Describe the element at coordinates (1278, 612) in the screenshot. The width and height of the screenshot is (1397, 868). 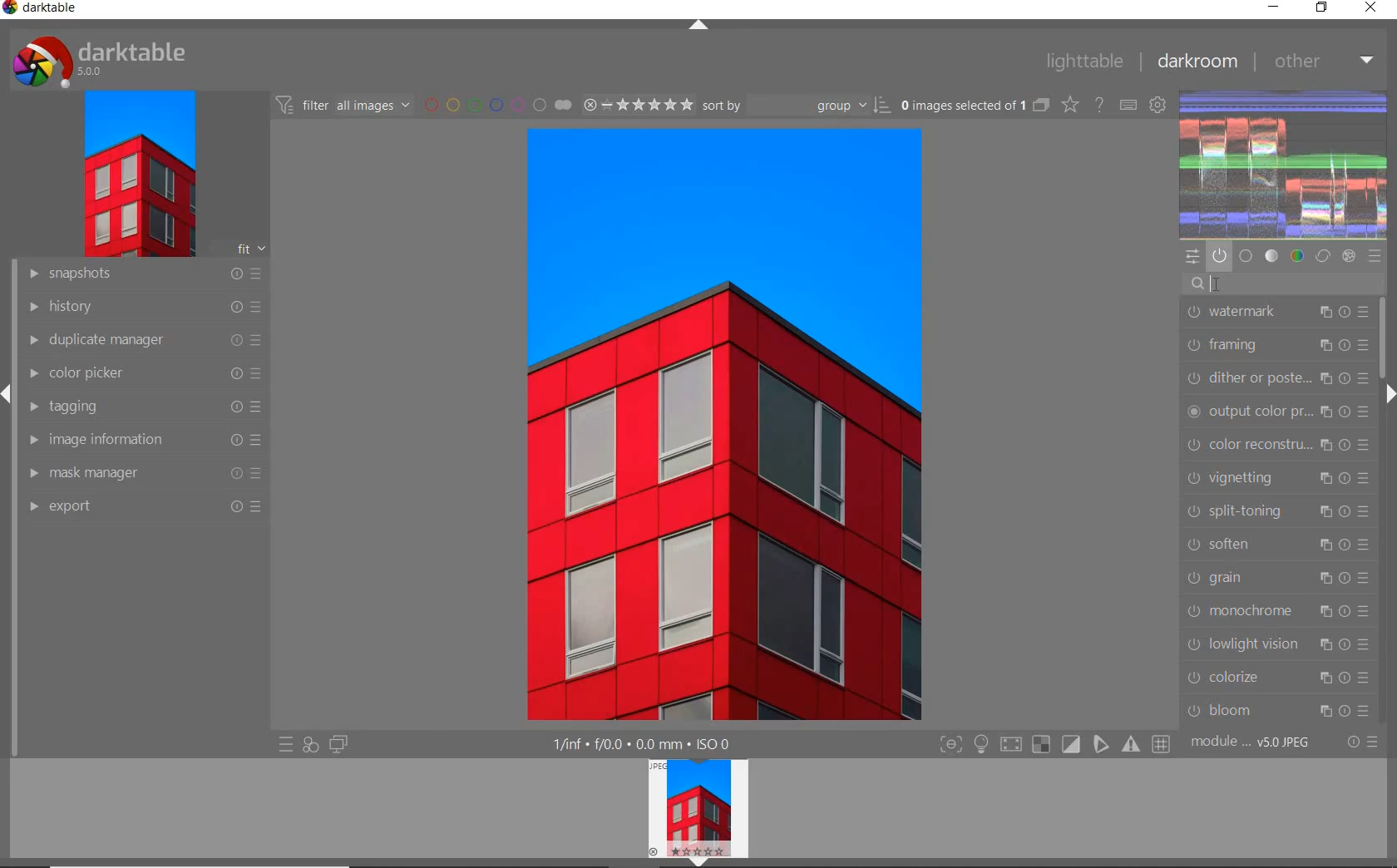
I see `monochrome` at that location.